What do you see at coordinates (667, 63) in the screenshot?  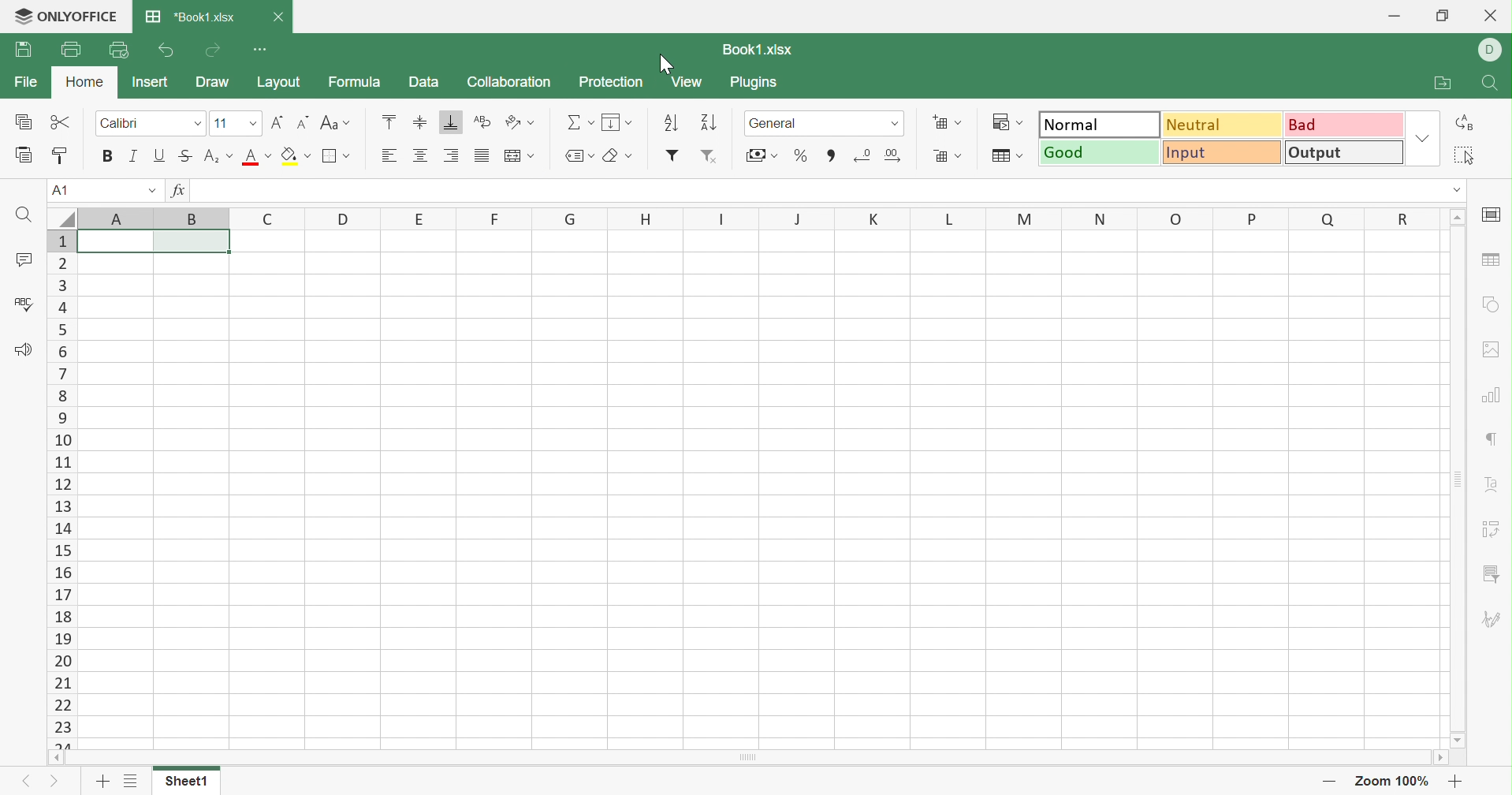 I see `Cursor` at bounding box center [667, 63].